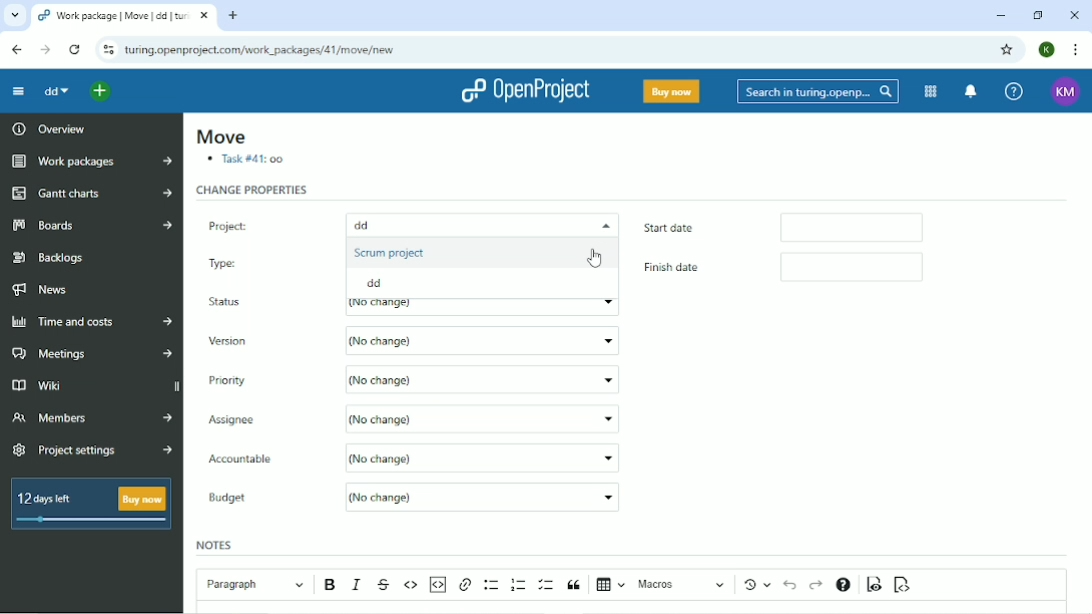  Describe the element at coordinates (92, 322) in the screenshot. I see `Time and costs` at that location.